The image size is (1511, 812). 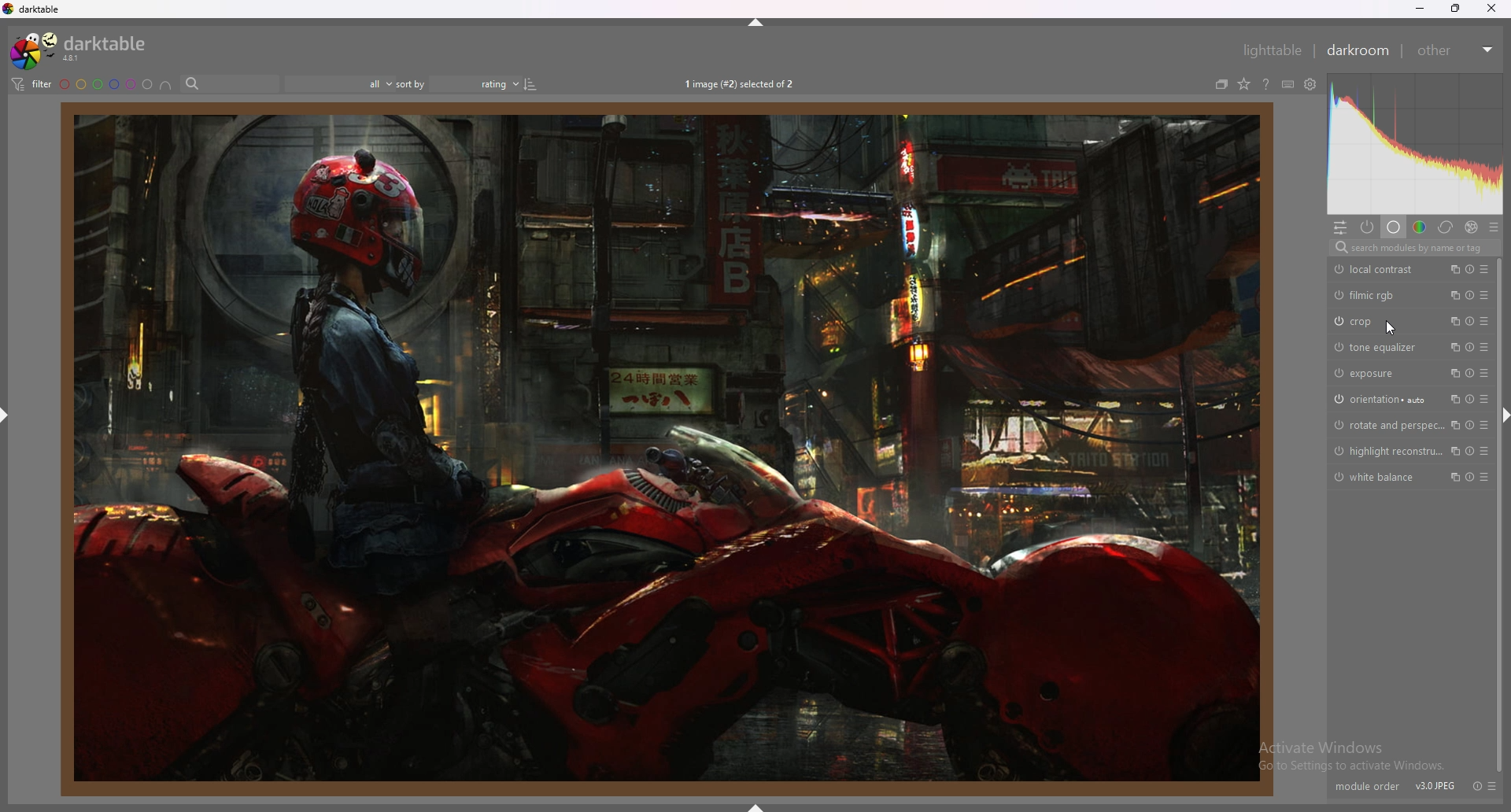 I want to click on reset, so click(x=1469, y=321).